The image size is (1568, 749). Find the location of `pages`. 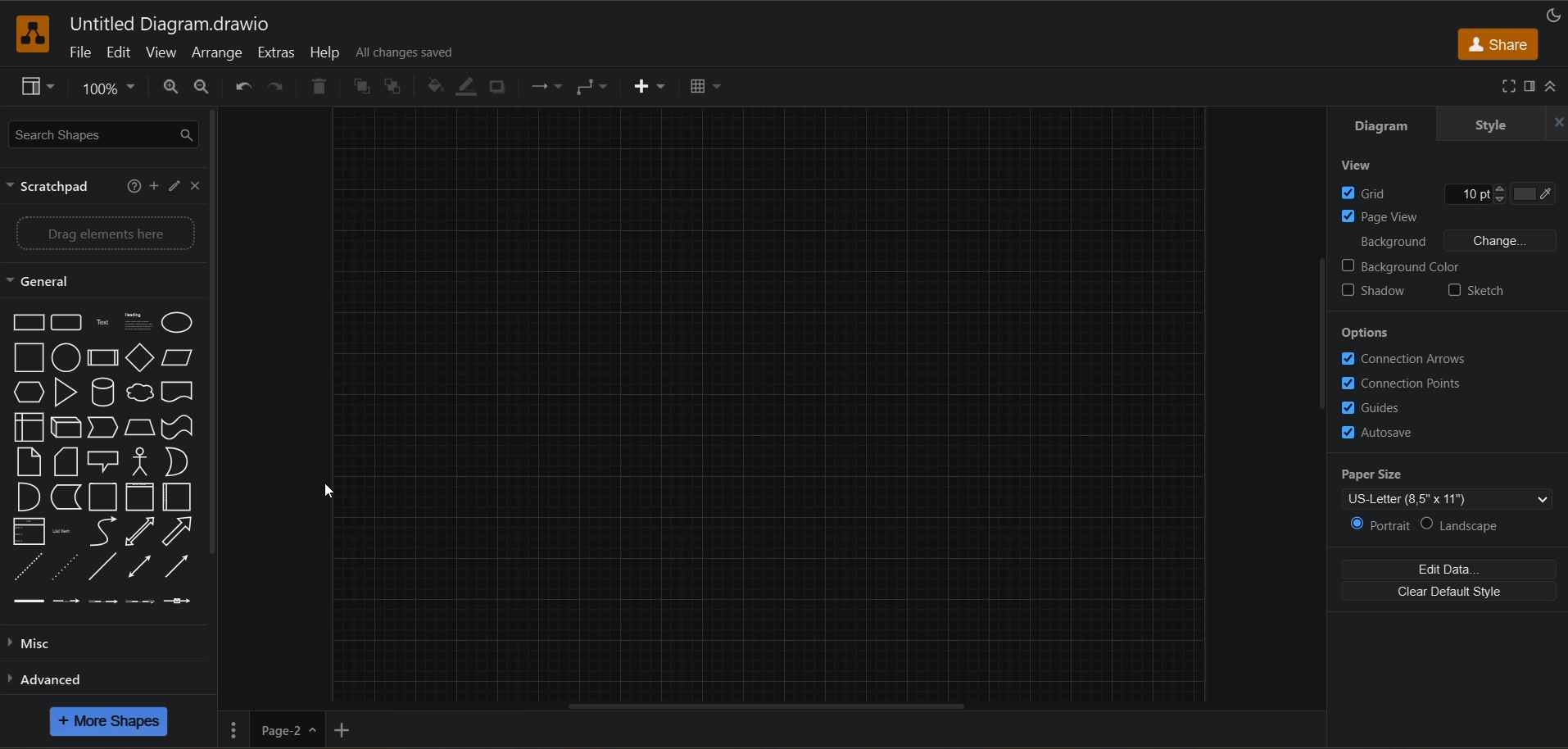

pages is located at coordinates (233, 729).